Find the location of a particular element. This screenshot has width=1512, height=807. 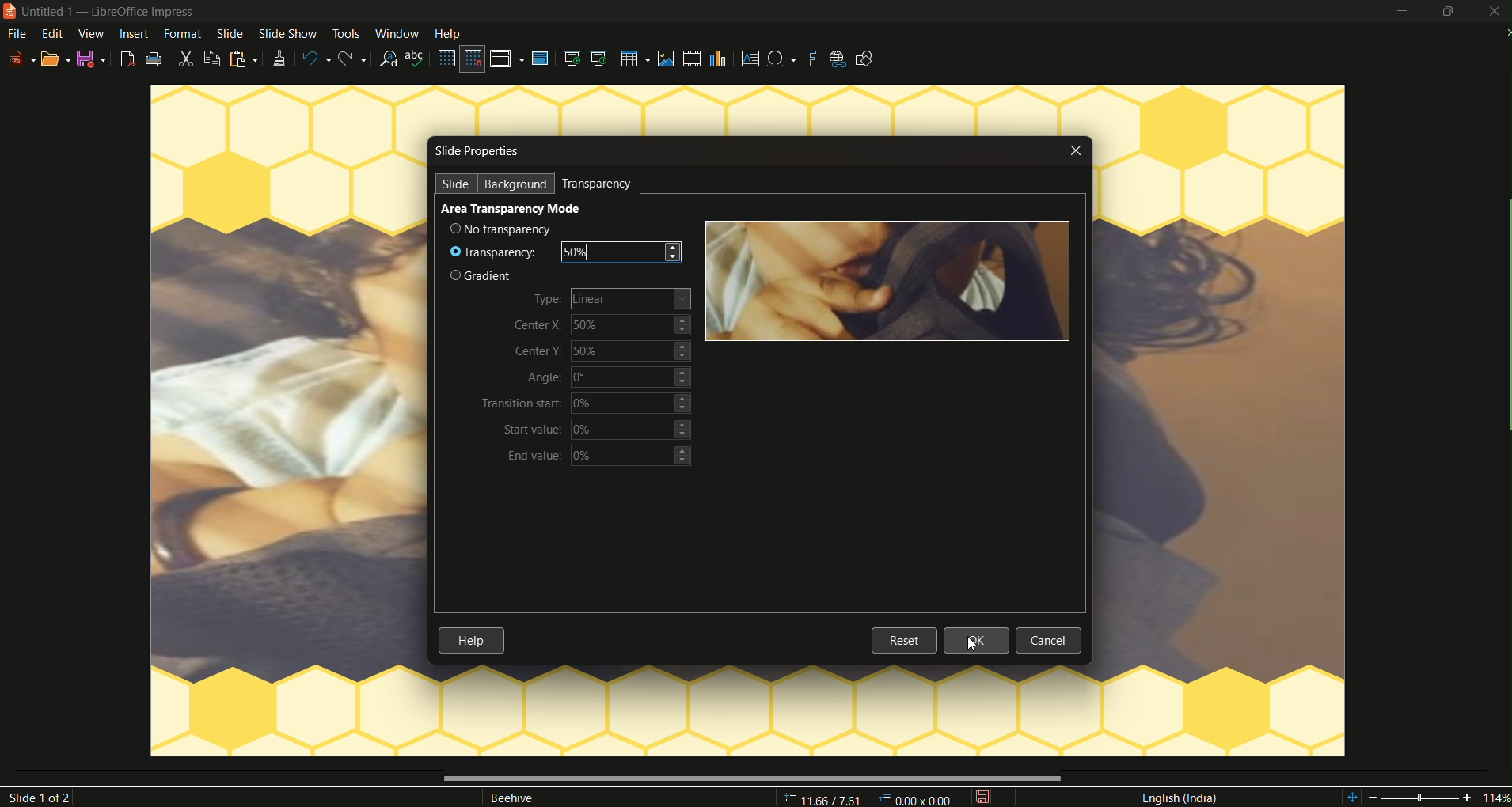

insert special character is located at coordinates (783, 59).